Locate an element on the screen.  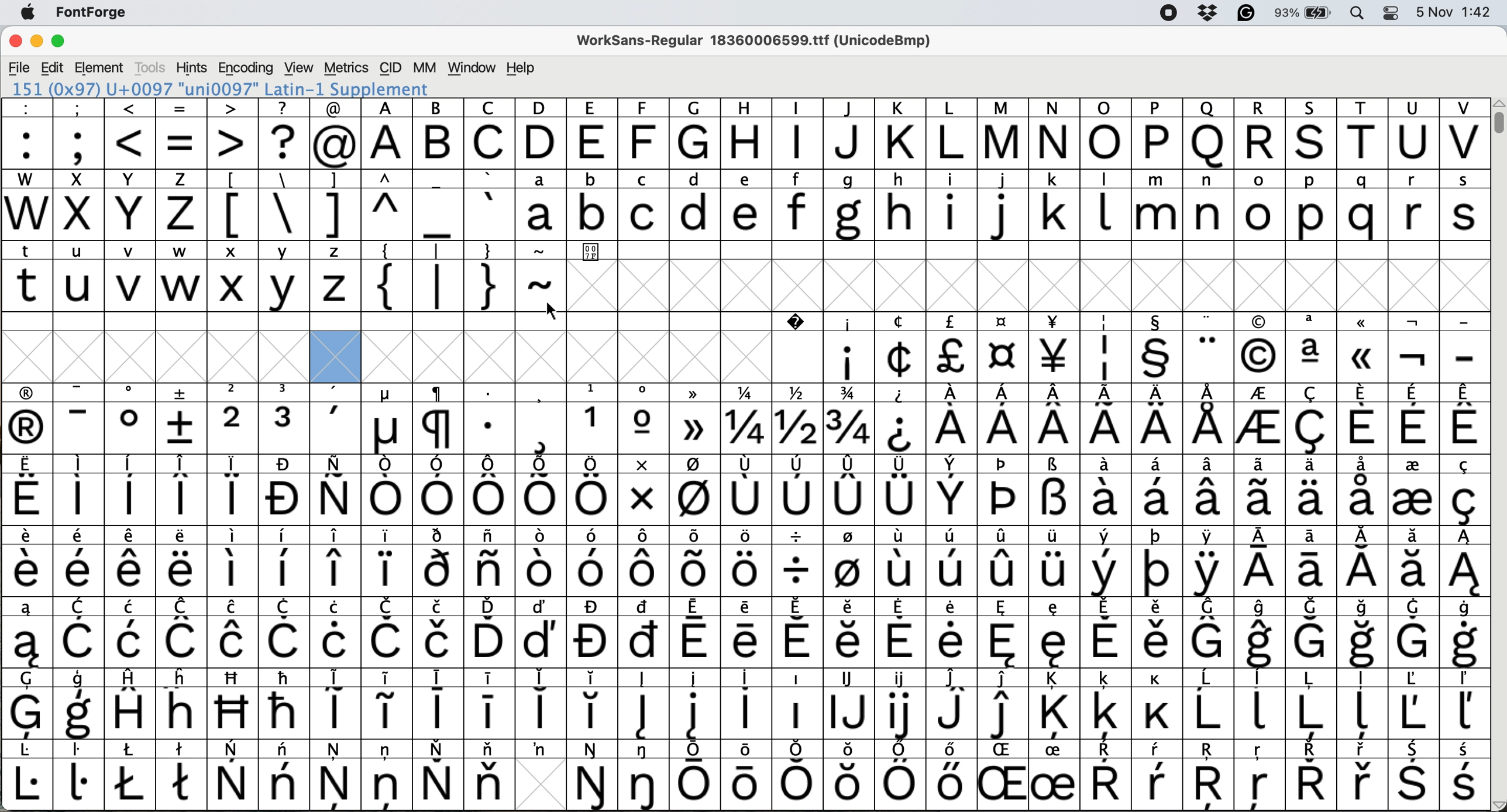
f is located at coordinates (796, 206).